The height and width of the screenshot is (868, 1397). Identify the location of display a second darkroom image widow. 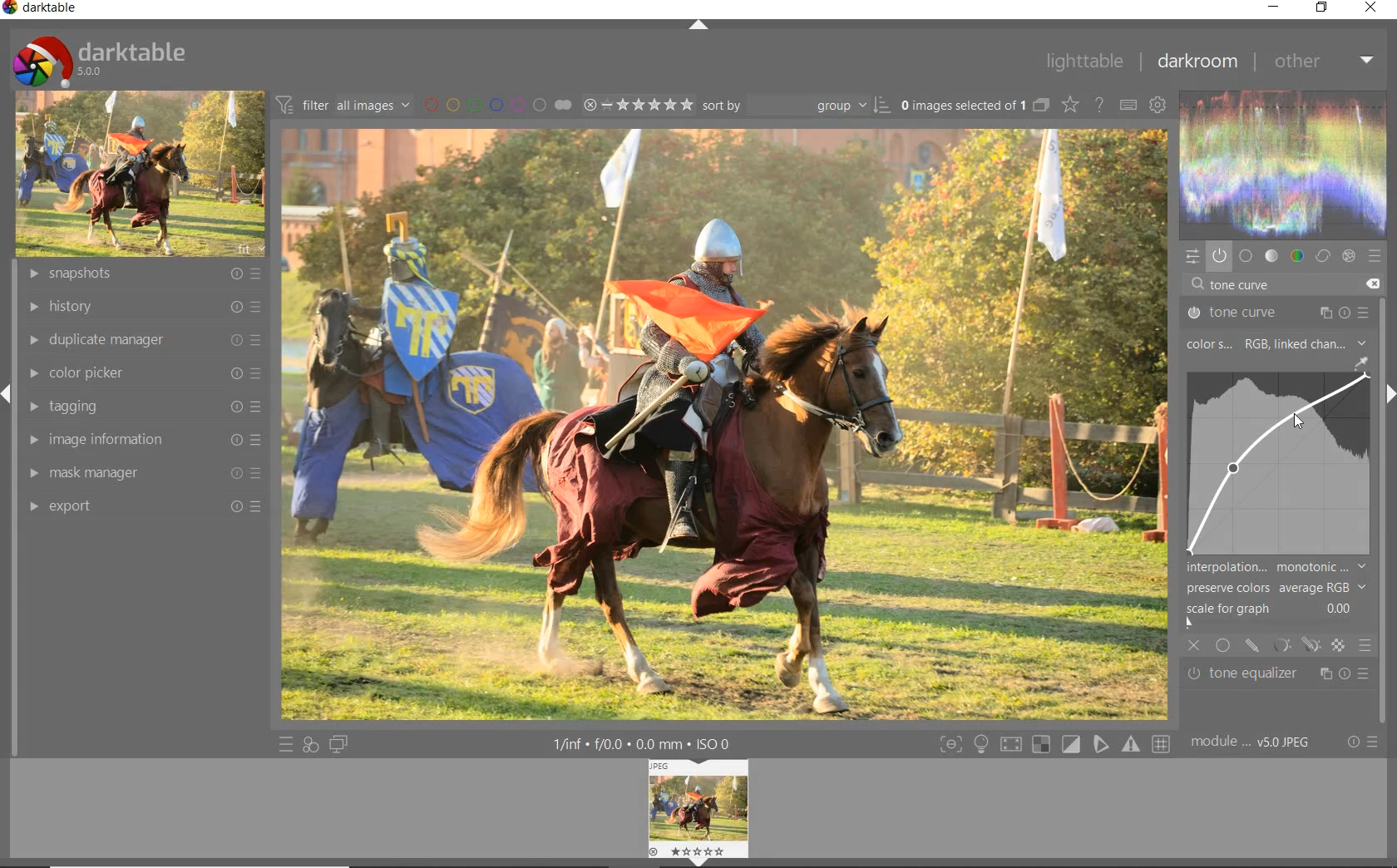
(339, 743).